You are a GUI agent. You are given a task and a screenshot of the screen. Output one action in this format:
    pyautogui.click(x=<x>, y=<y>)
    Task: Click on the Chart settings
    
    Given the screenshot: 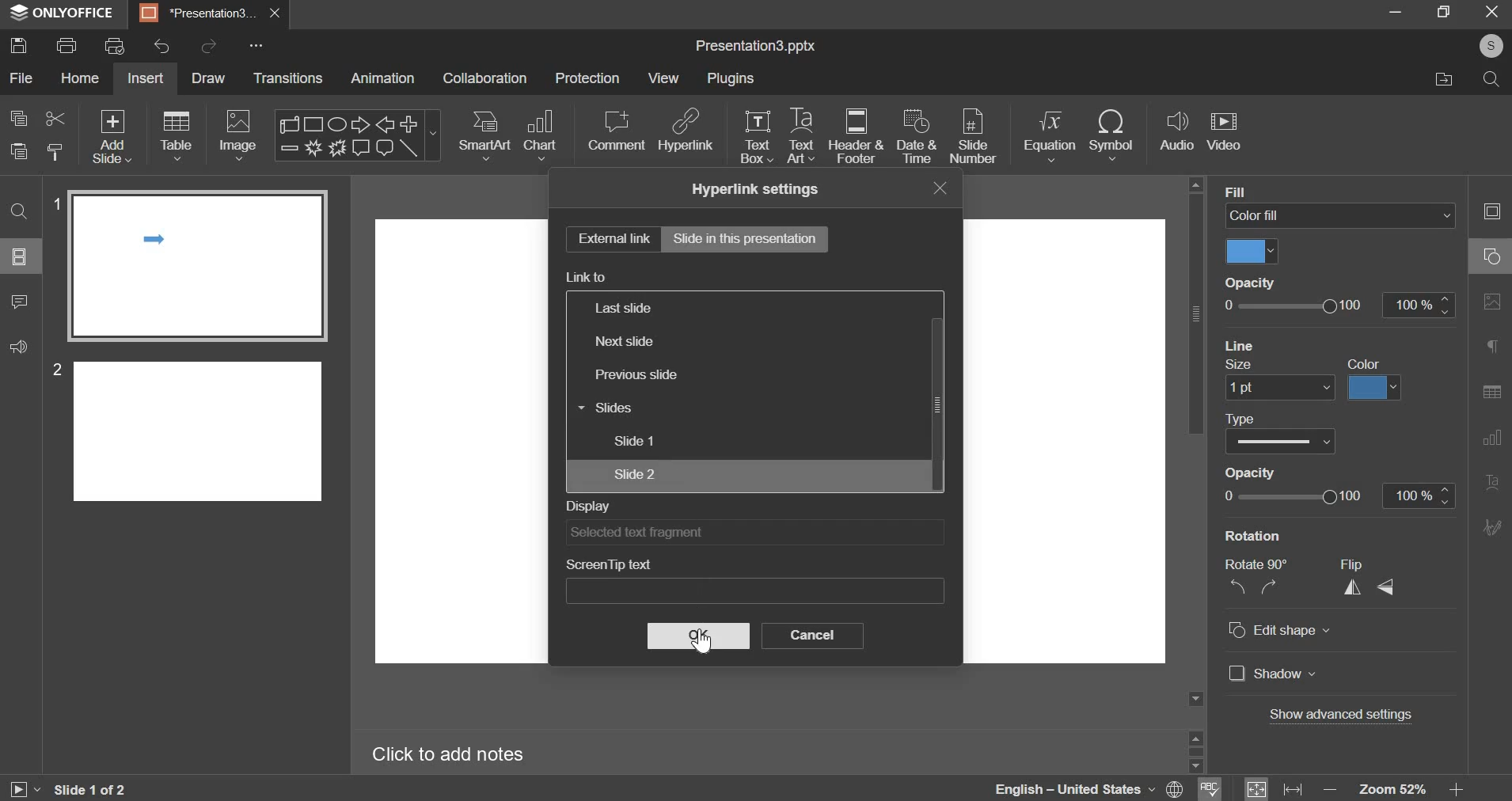 What is the action you would take?
    pyautogui.click(x=1492, y=438)
    